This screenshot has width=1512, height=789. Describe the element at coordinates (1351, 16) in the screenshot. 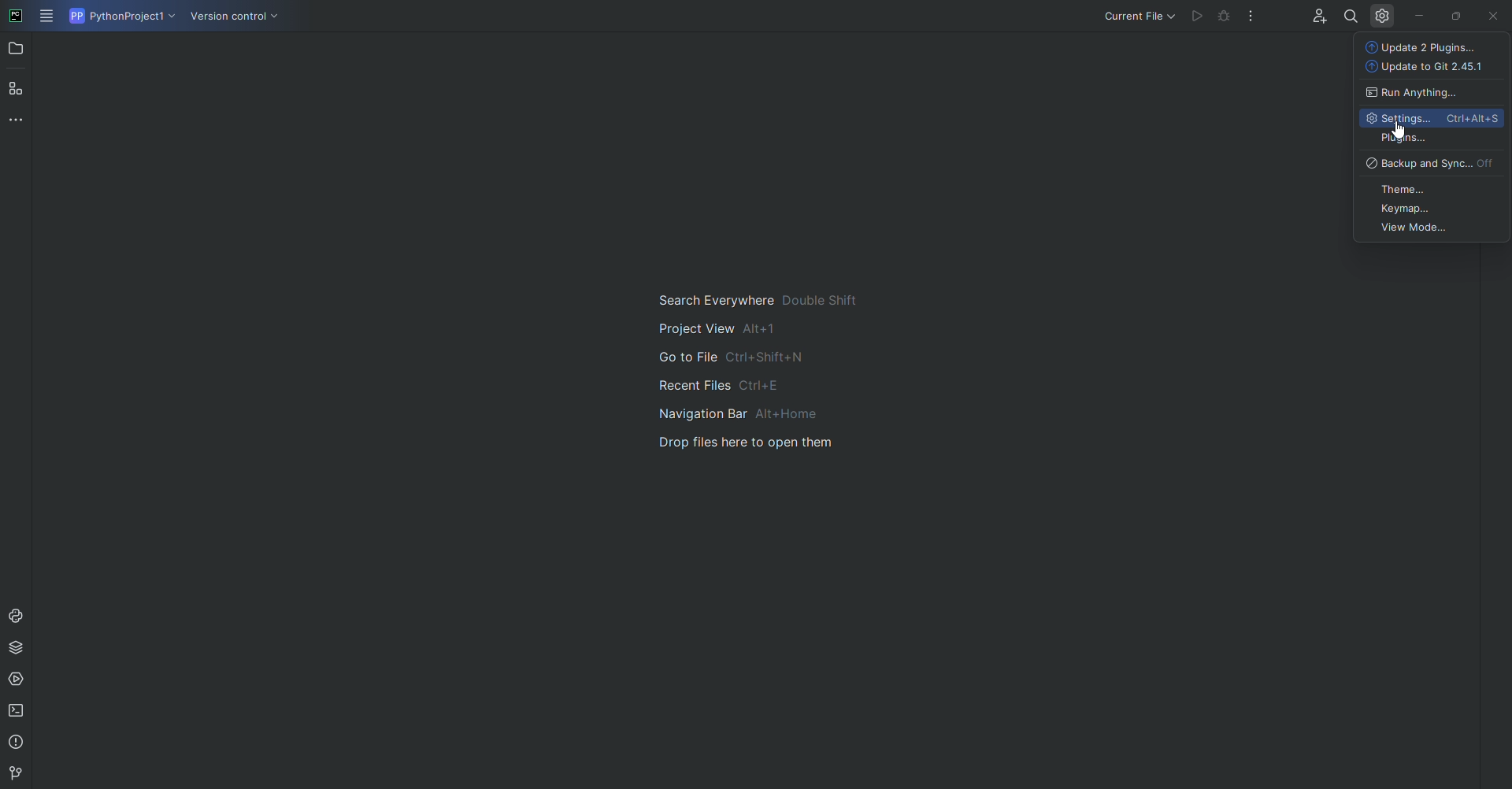

I see `Find` at that location.